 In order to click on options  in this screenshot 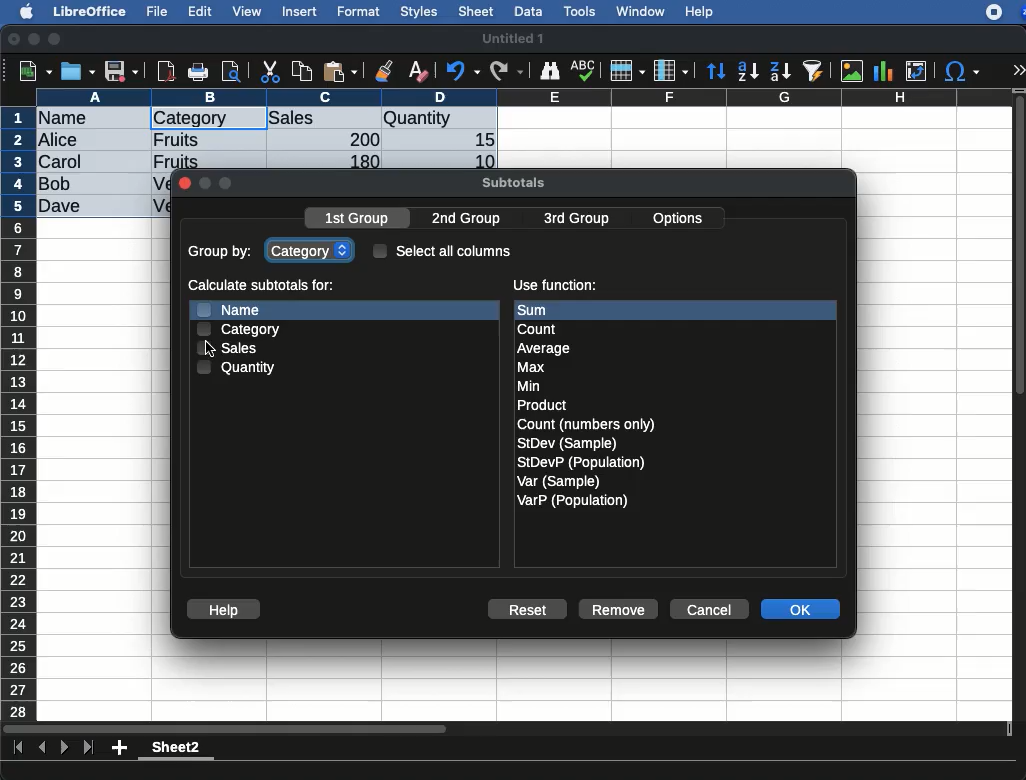, I will do `click(680, 215)`.